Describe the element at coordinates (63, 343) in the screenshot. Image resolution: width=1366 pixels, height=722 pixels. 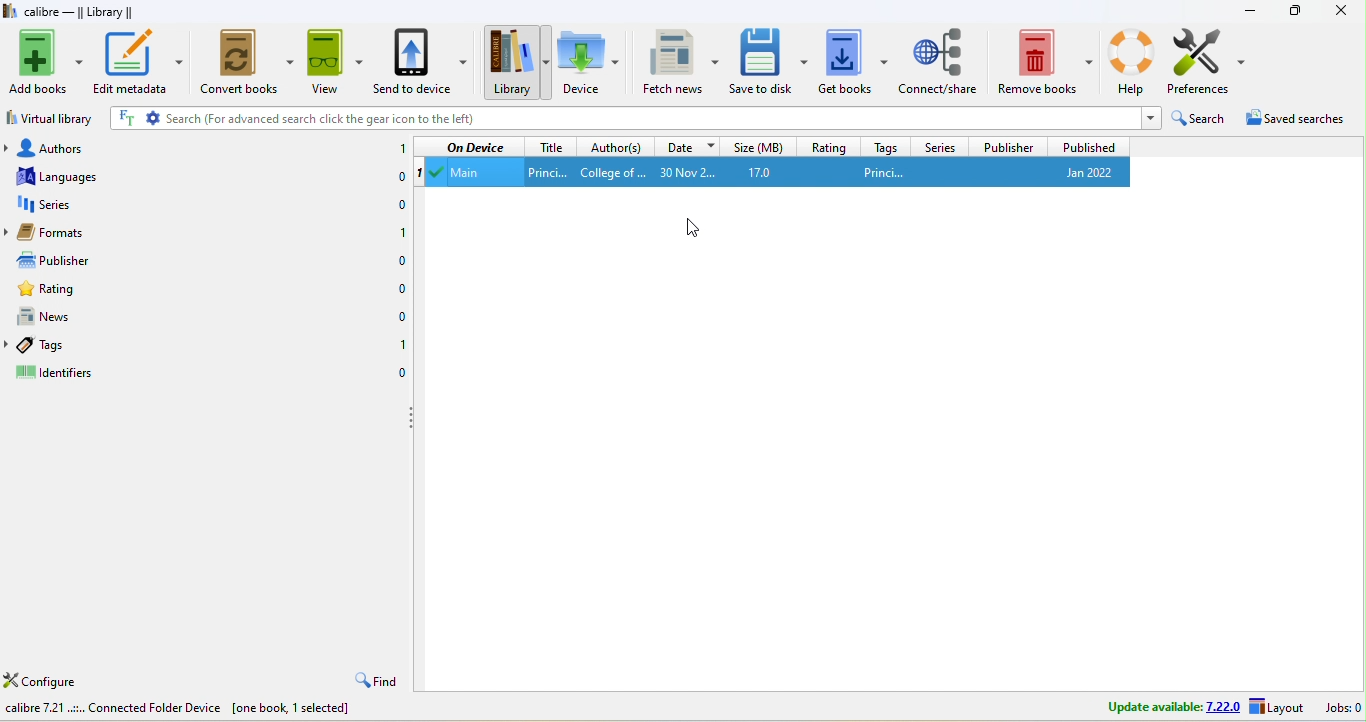
I see `tags` at that location.